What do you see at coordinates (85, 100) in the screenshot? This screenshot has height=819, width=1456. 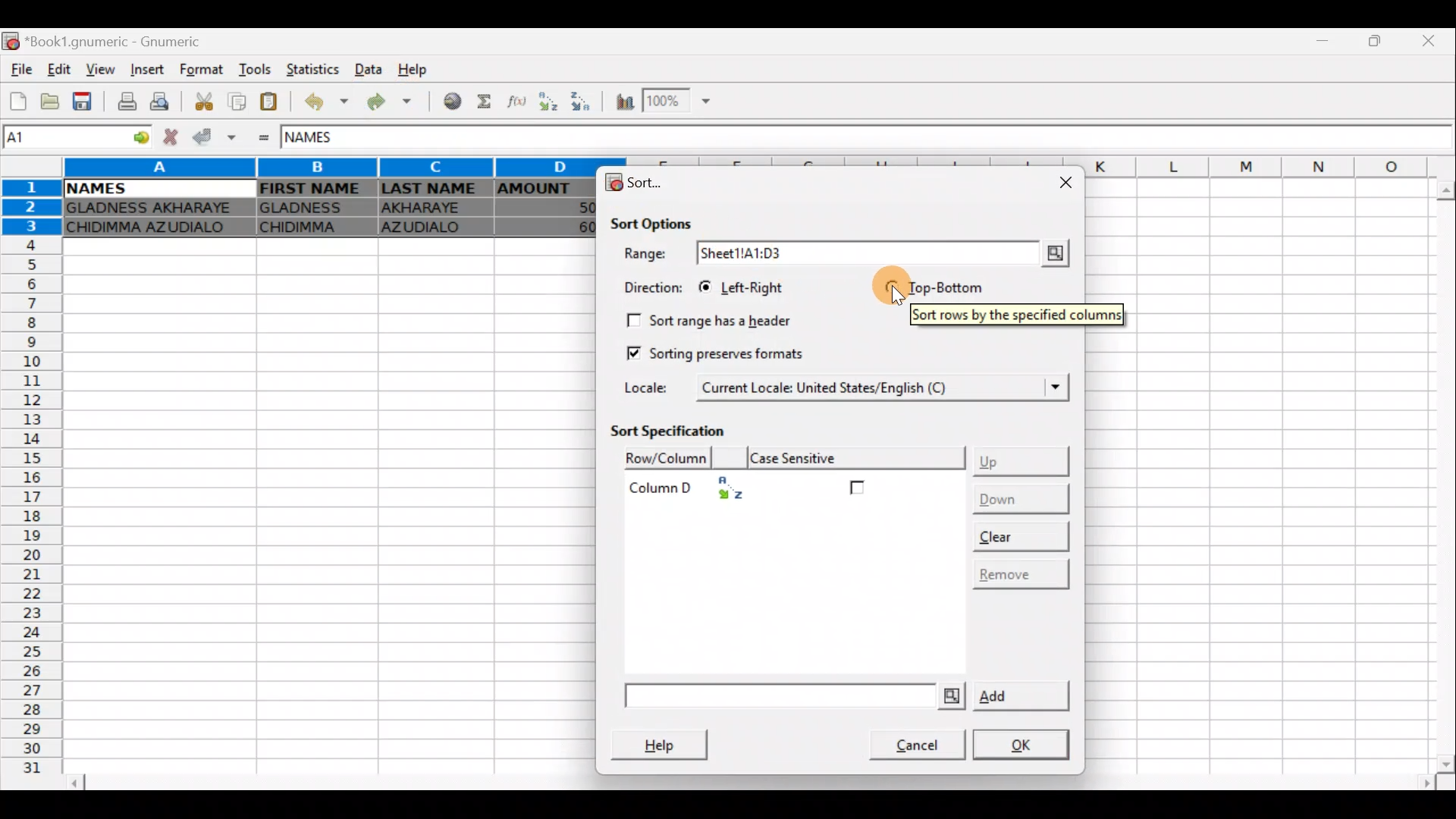 I see `Save current workbook` at bounding box center [85, 100].